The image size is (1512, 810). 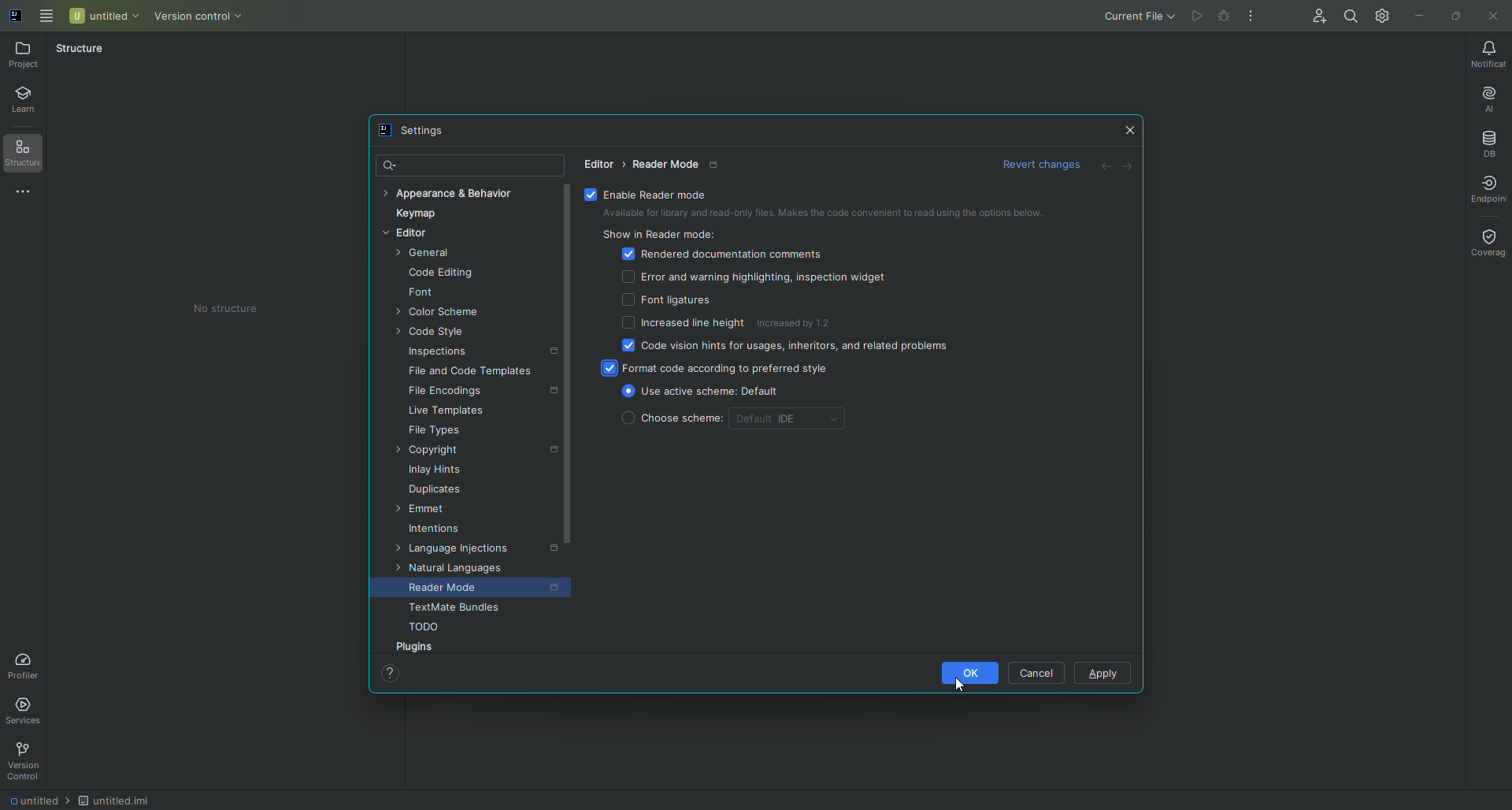 I want to click on Services, so click(x=24, y=713).